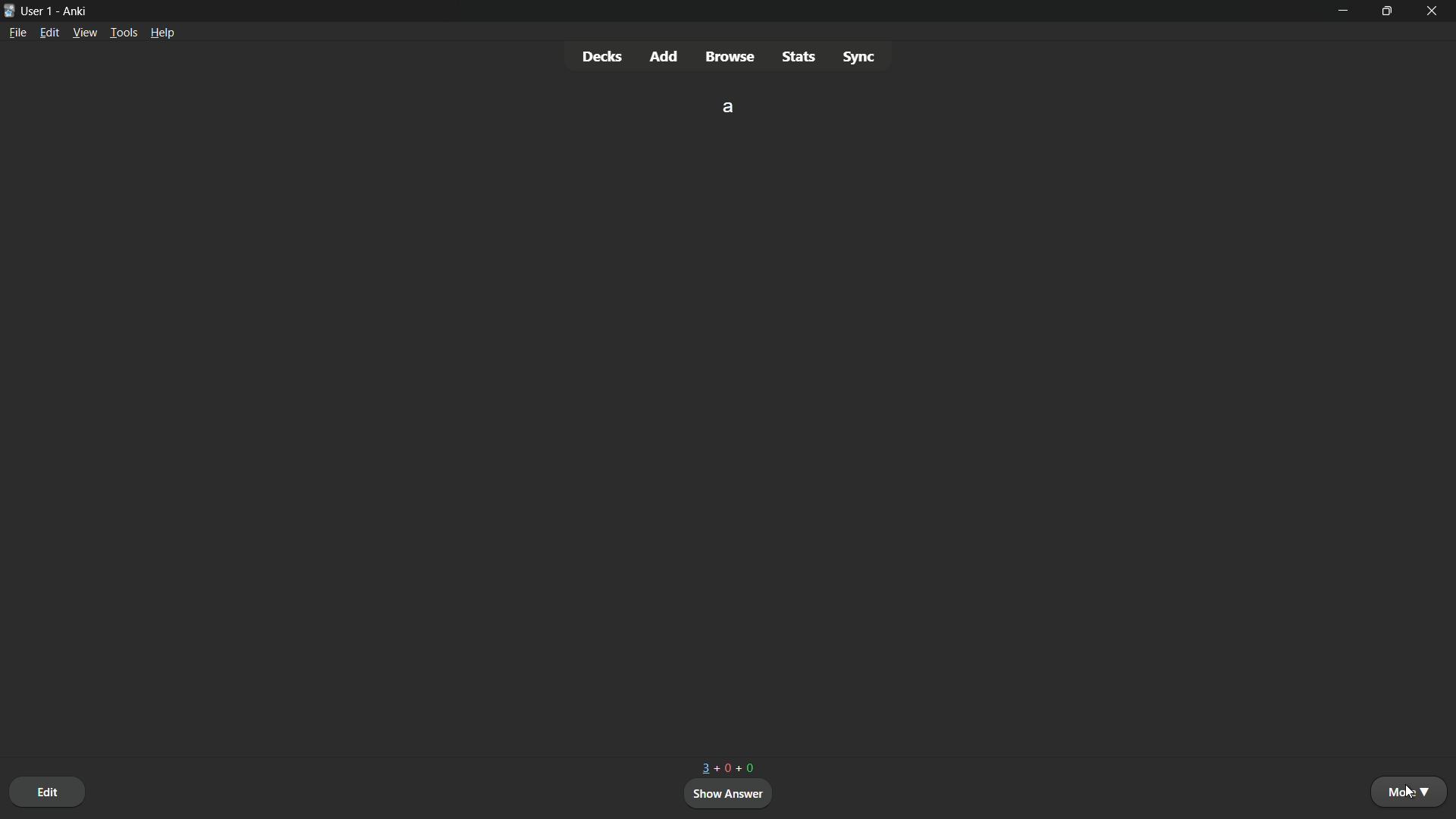 Image resolution: width=1456 pixels, height=819 pixels. Describe the element at coordinates (49, 32) in the screenshot. I see `edit menu` at that location.